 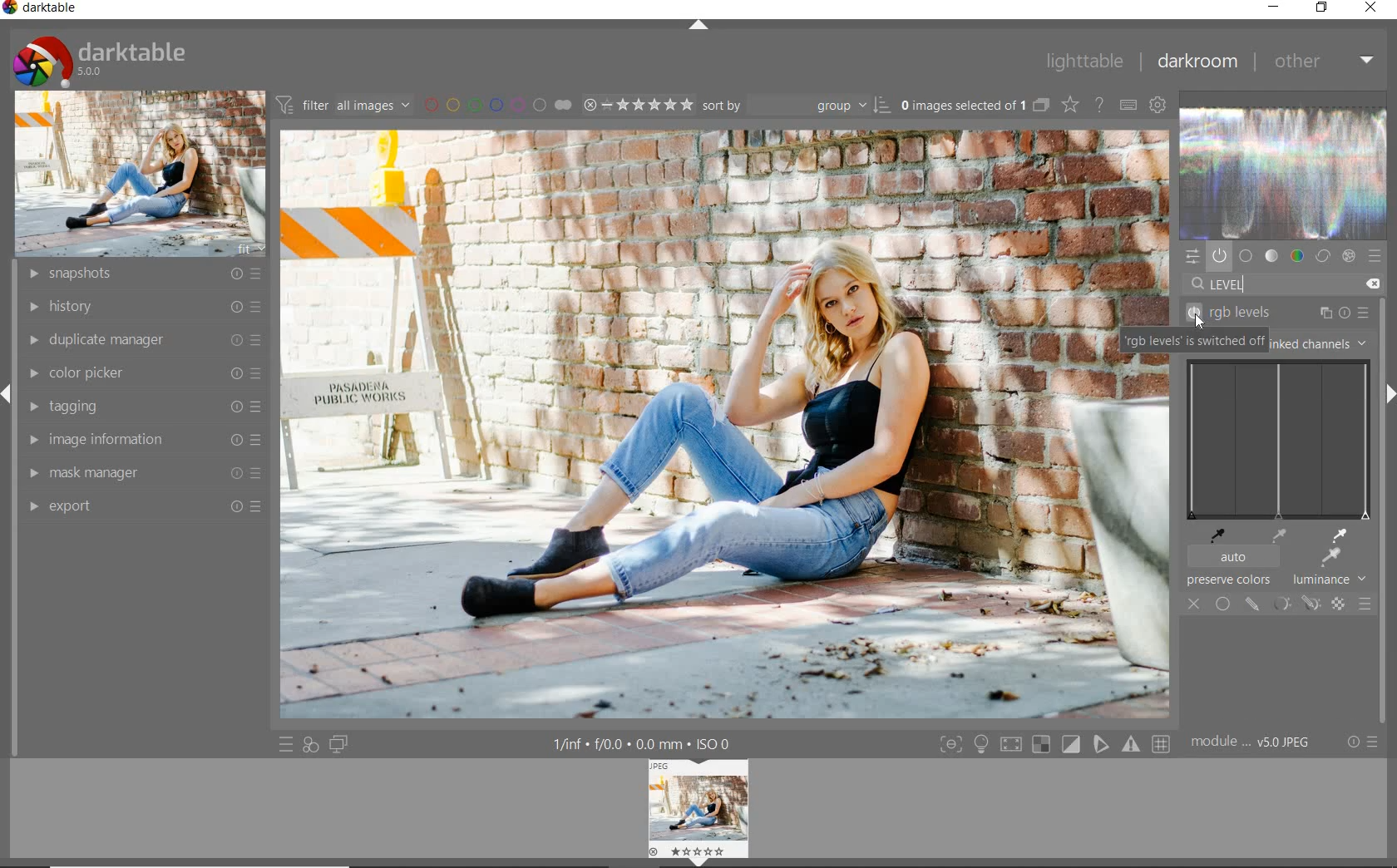 I want to click on scrollbar, so click(x=1383, y=334).